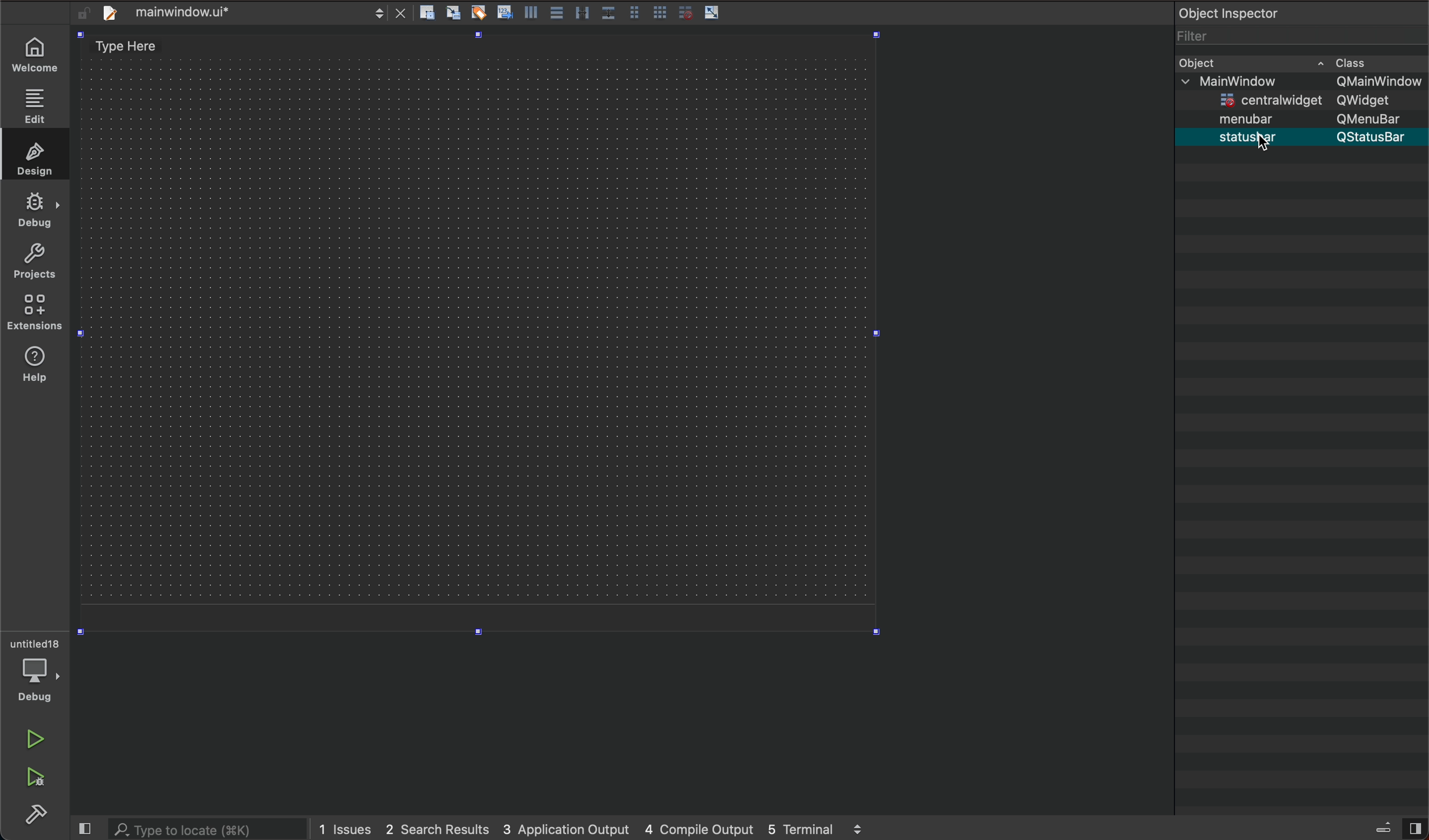 Image resolution: width=1429 pixels, height=840 pixels. Describe the element at coordinates (555, 12) in the screenshot. I see `tools layout` at that location.